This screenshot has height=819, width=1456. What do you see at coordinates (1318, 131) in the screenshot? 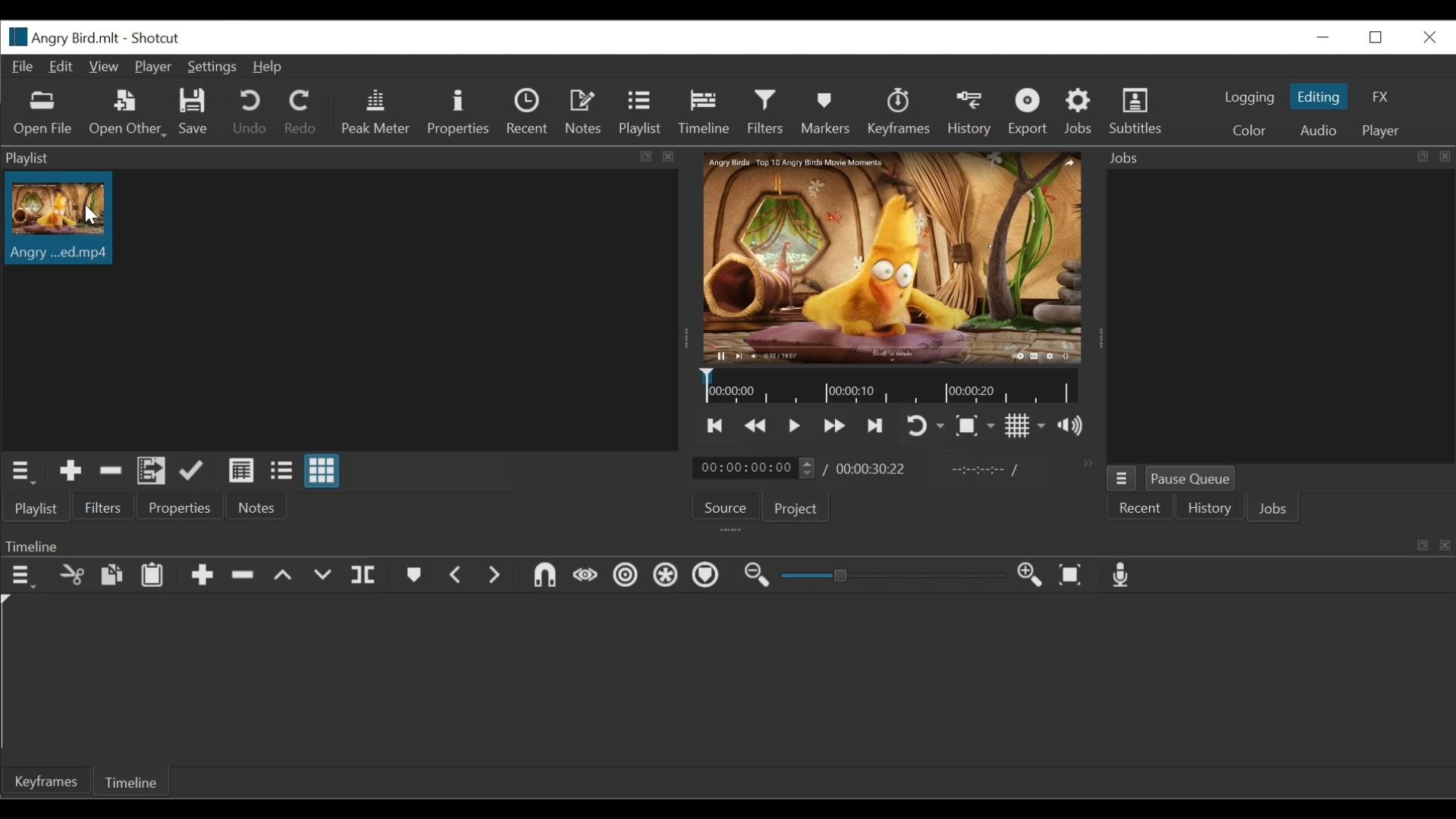
I see `Audio` at bounding box center [1318, 131].